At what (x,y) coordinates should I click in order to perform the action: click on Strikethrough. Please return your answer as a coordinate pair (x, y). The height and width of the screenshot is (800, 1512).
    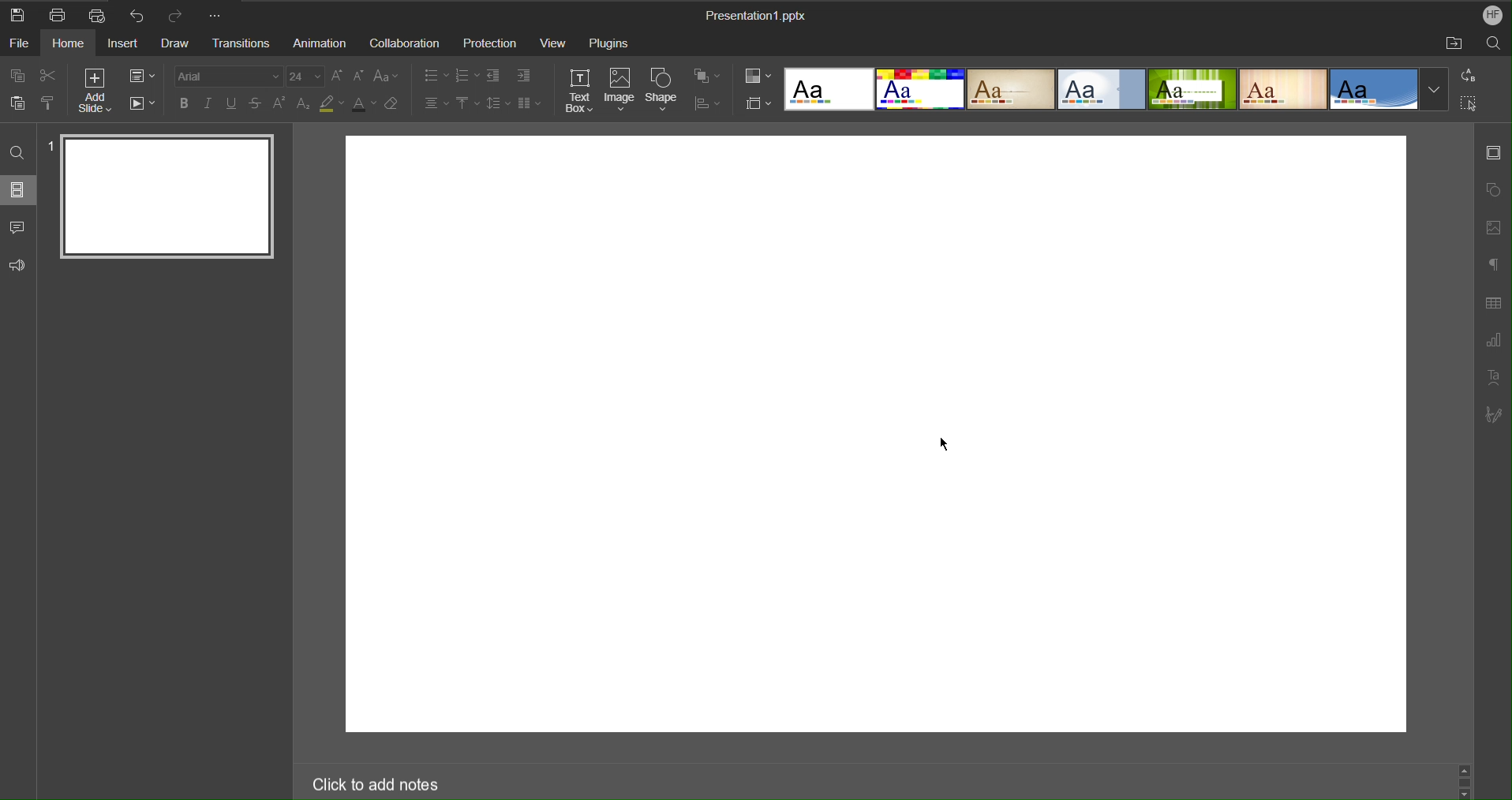
    Looking at the image, I should click on (256, 105).